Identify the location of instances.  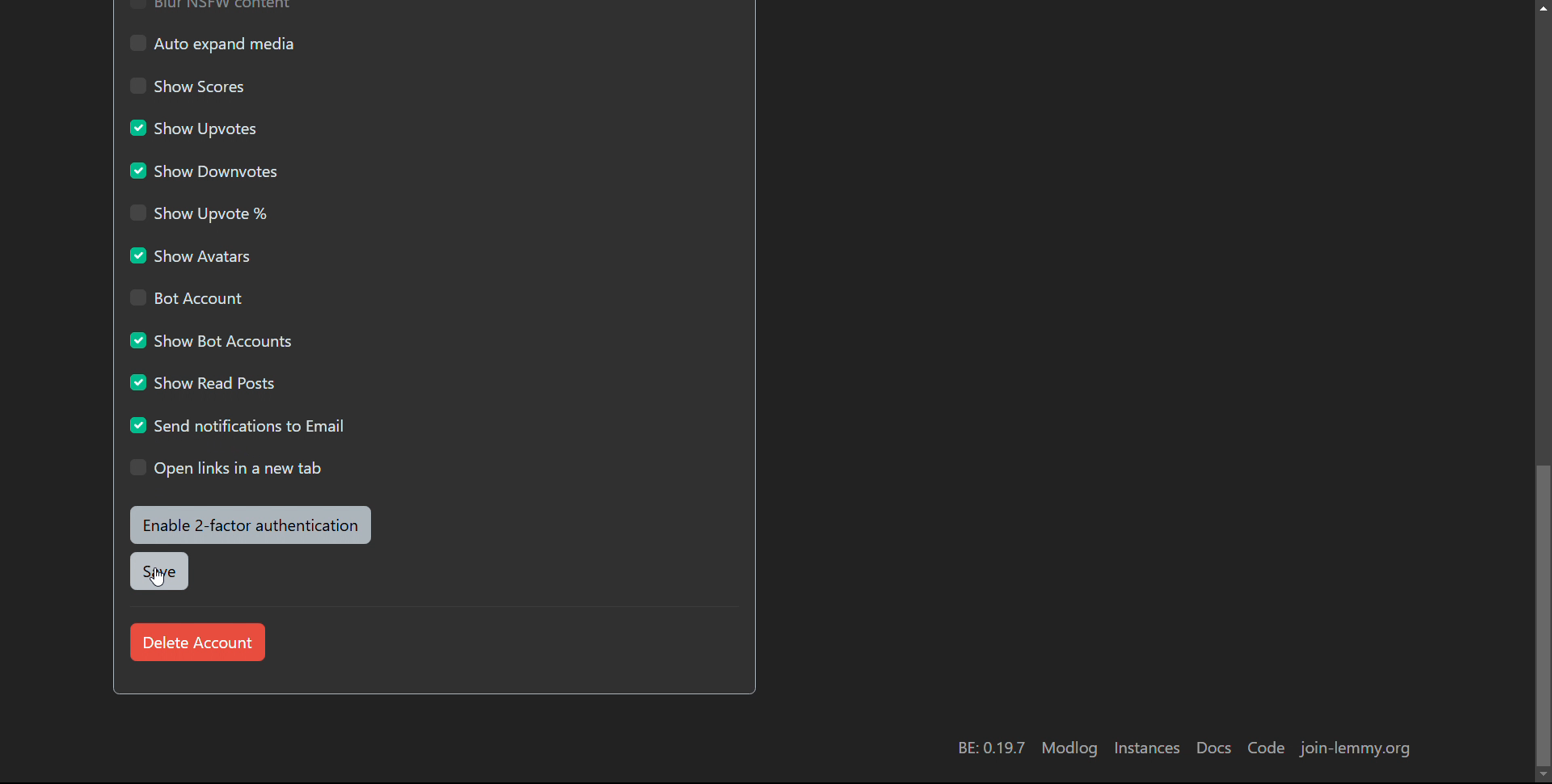
(1145, 747).